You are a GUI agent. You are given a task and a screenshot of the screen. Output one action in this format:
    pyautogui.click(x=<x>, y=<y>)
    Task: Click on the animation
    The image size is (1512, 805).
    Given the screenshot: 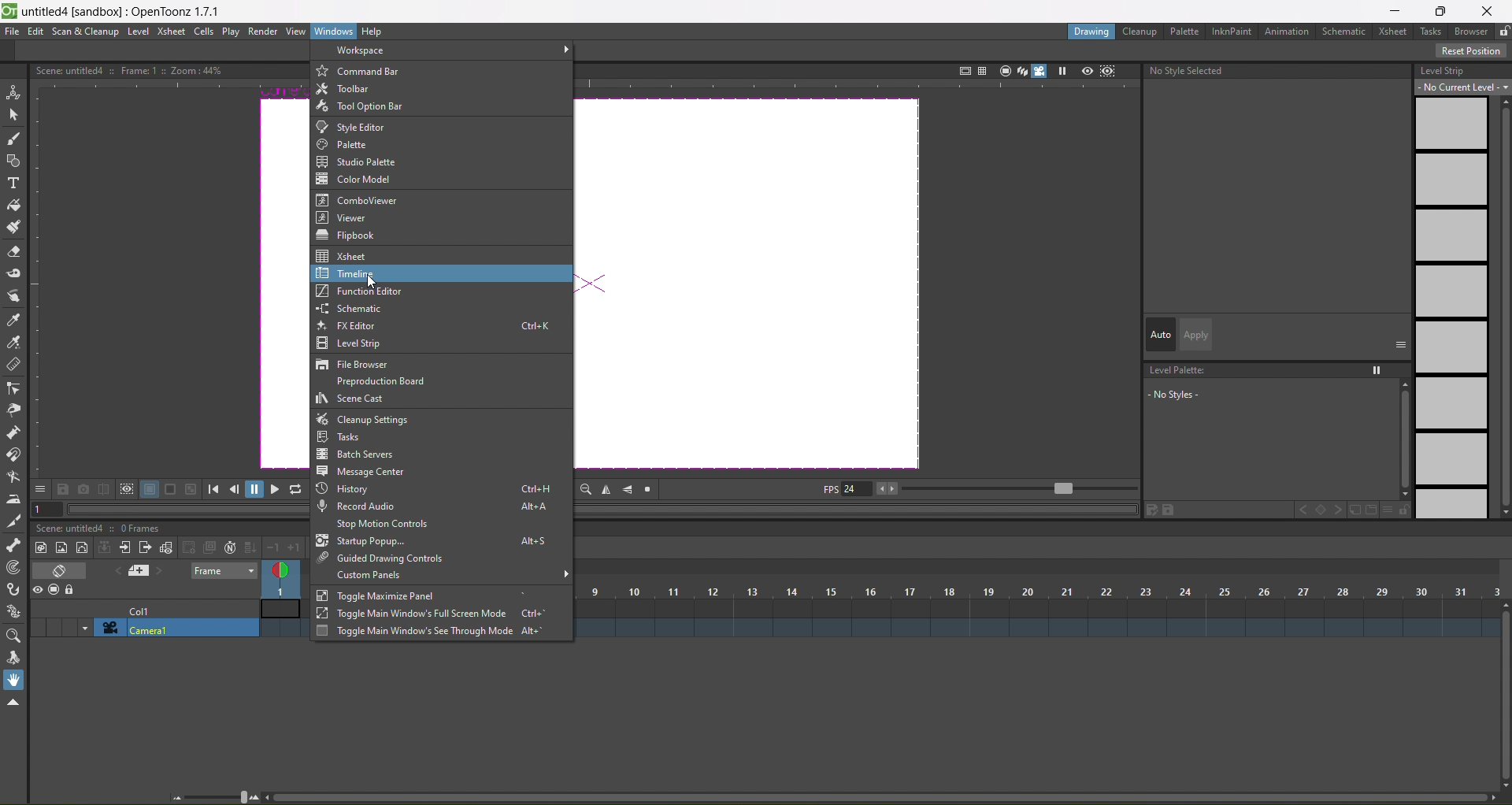 What is the action you would take?
    pyautogui.click(x=1290, y=32)
    